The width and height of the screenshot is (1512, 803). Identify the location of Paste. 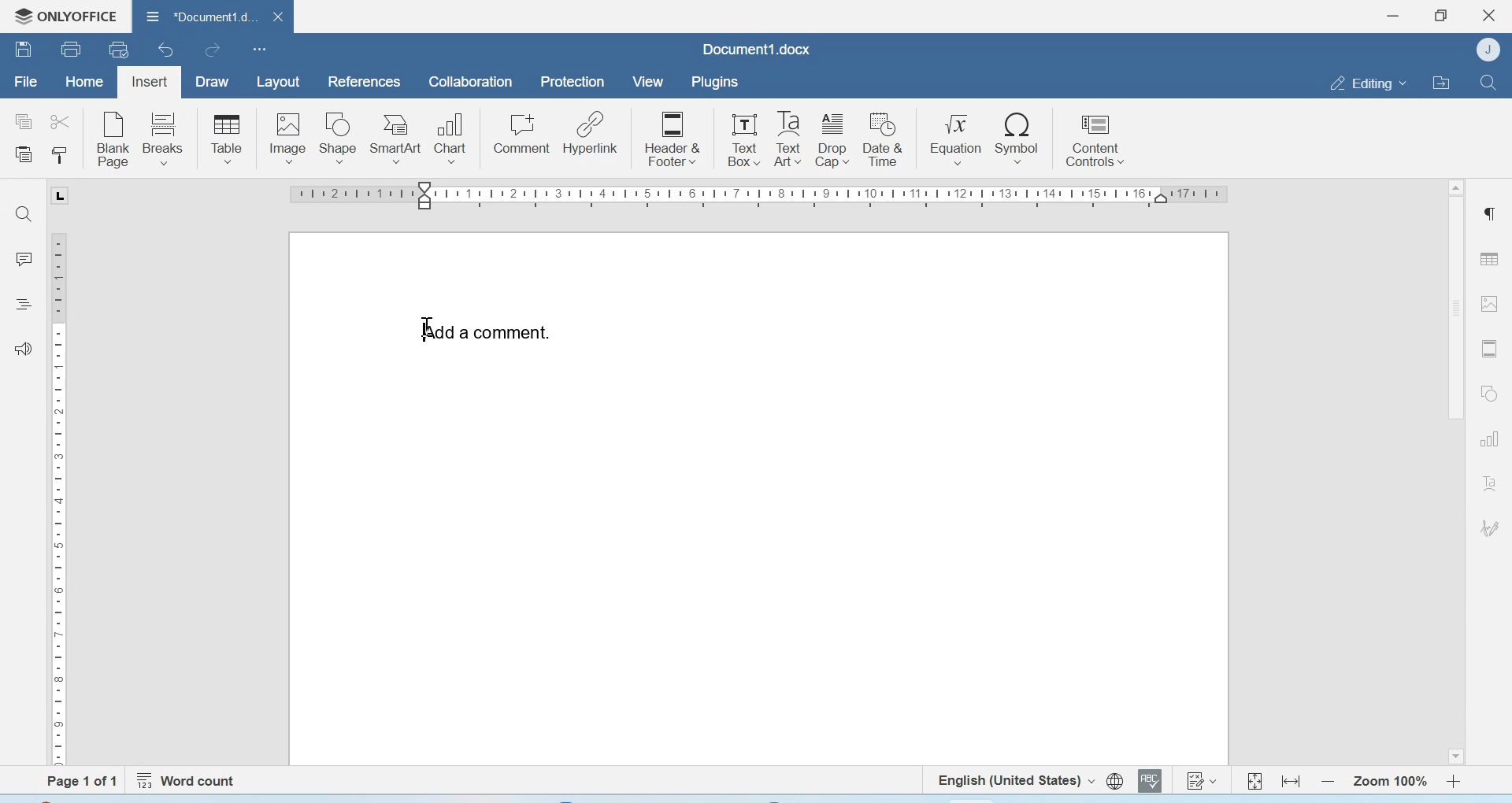
(25, 156).